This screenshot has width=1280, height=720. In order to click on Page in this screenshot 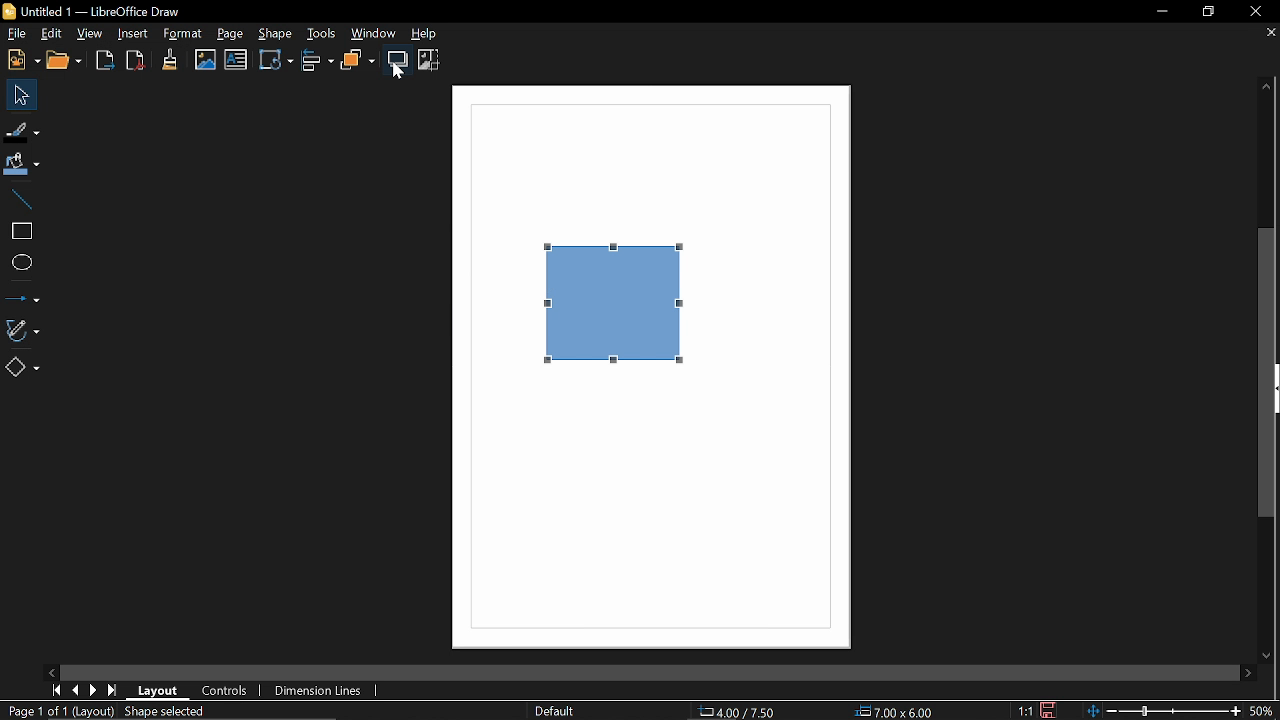, I will do `click(230, 34)`.